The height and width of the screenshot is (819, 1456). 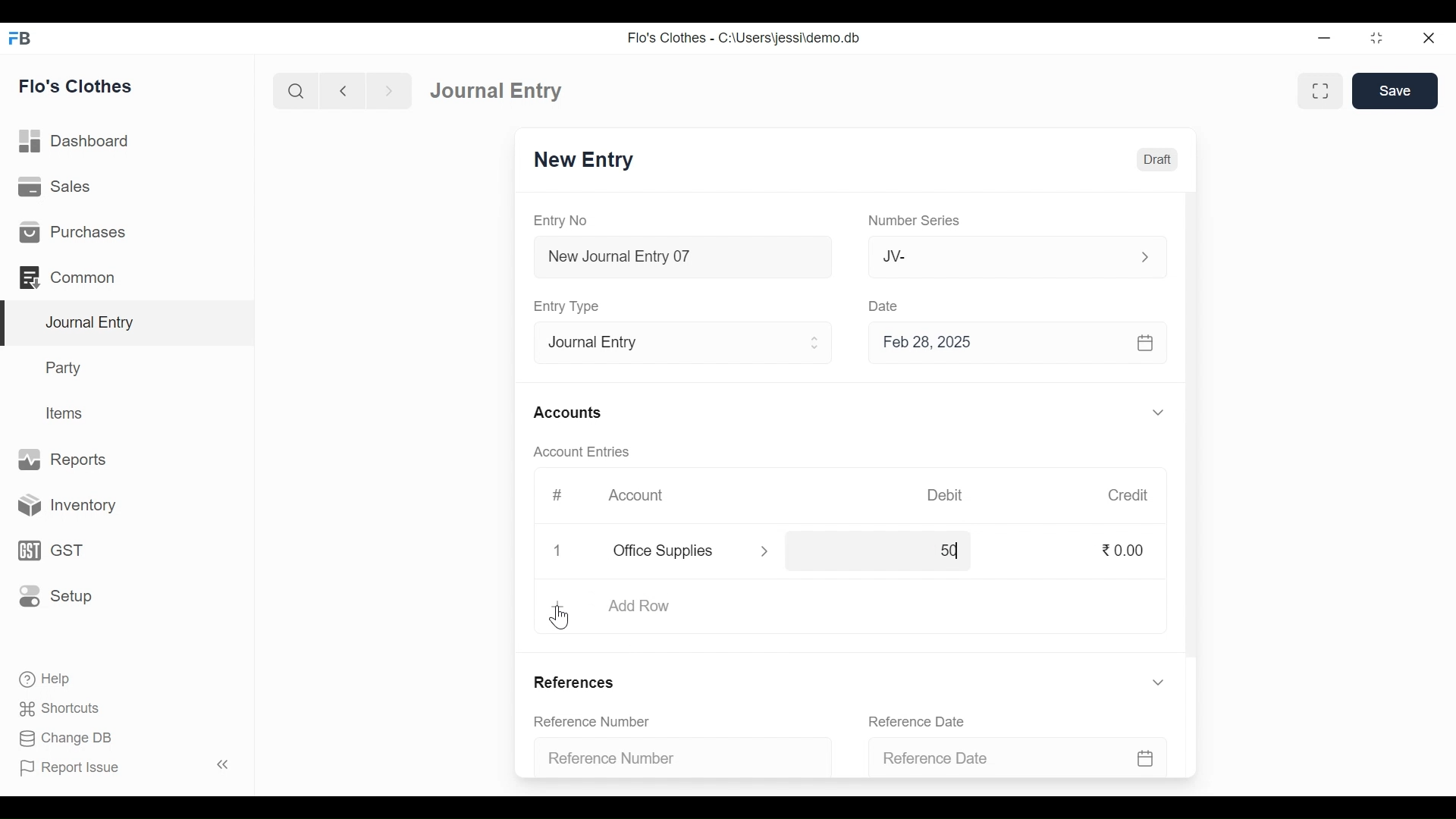 What do you see at coordinates (68, 706) in the screenshot?
I see `Shortcuts` at bounding box center [68, 706].